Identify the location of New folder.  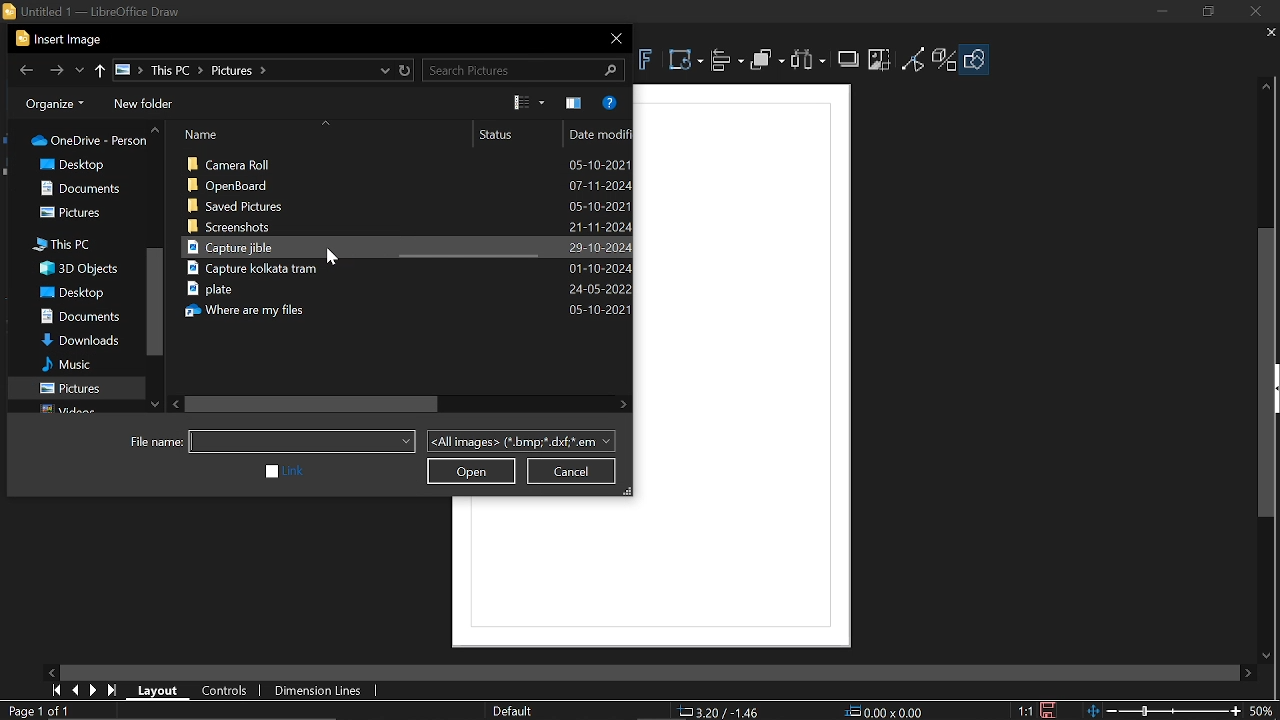
(148, 105).